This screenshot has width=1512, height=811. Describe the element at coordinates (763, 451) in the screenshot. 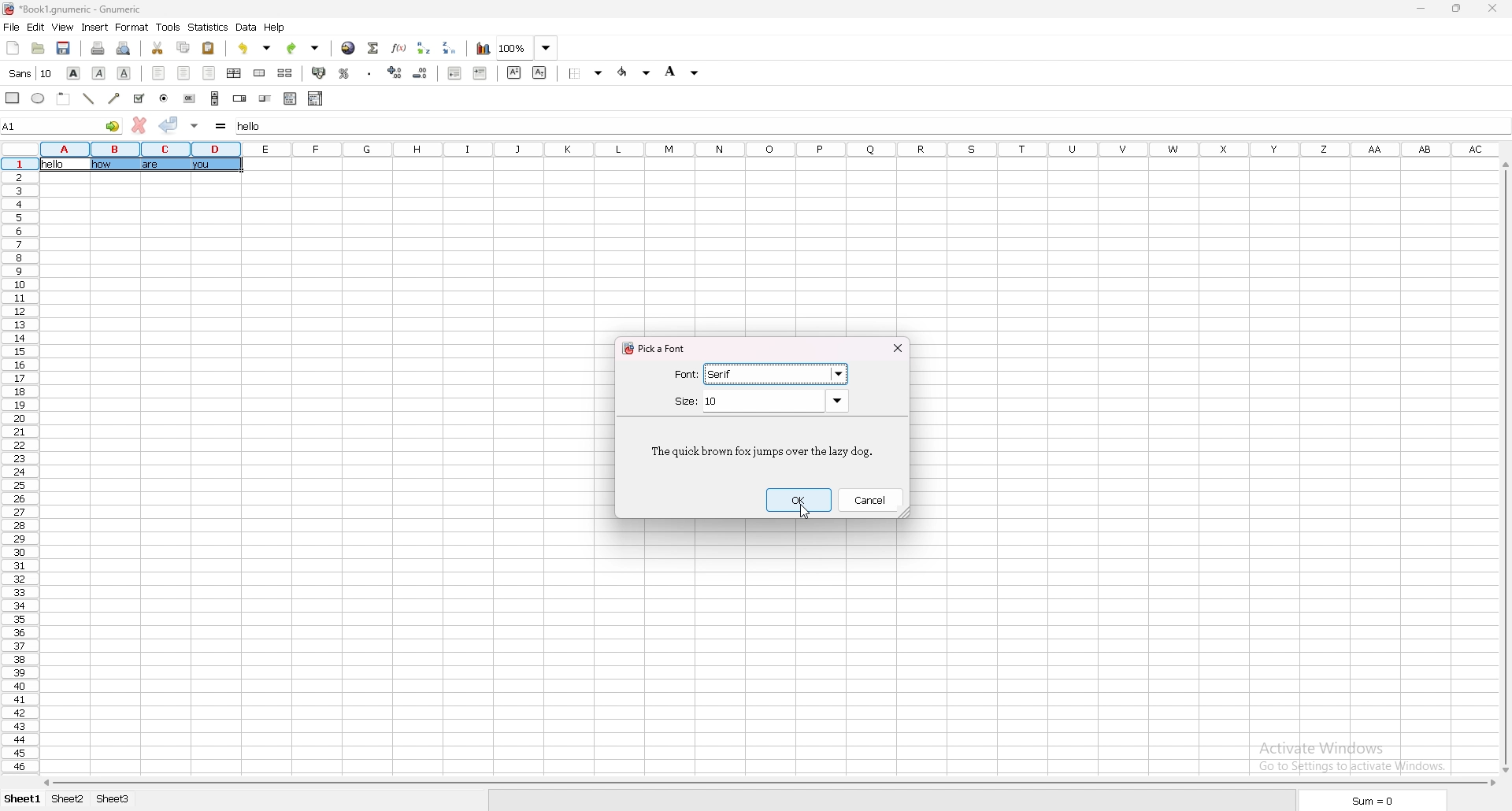

I see `sample text` at that location.